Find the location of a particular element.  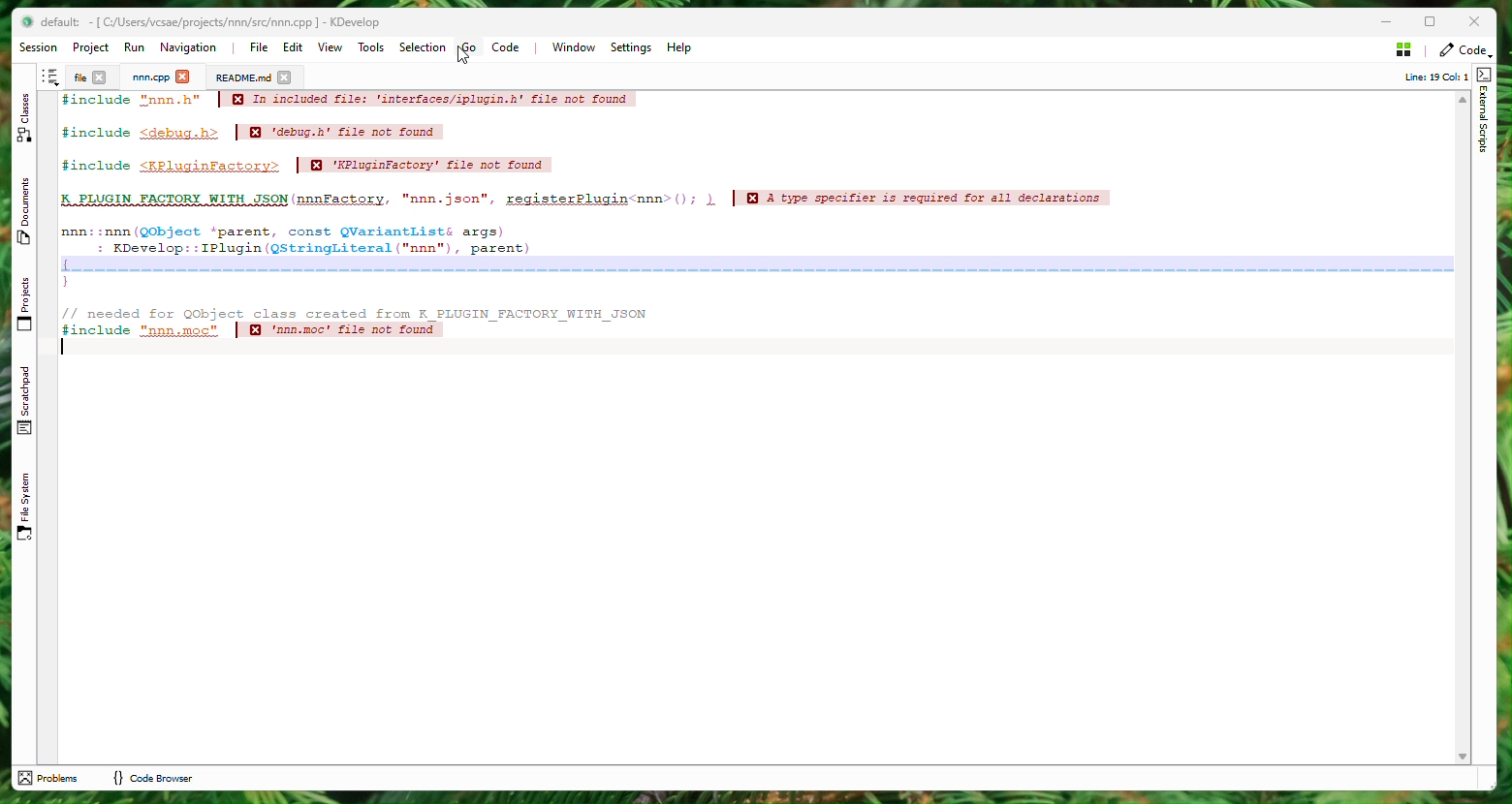

Edit is located at coordinates (294, 47).